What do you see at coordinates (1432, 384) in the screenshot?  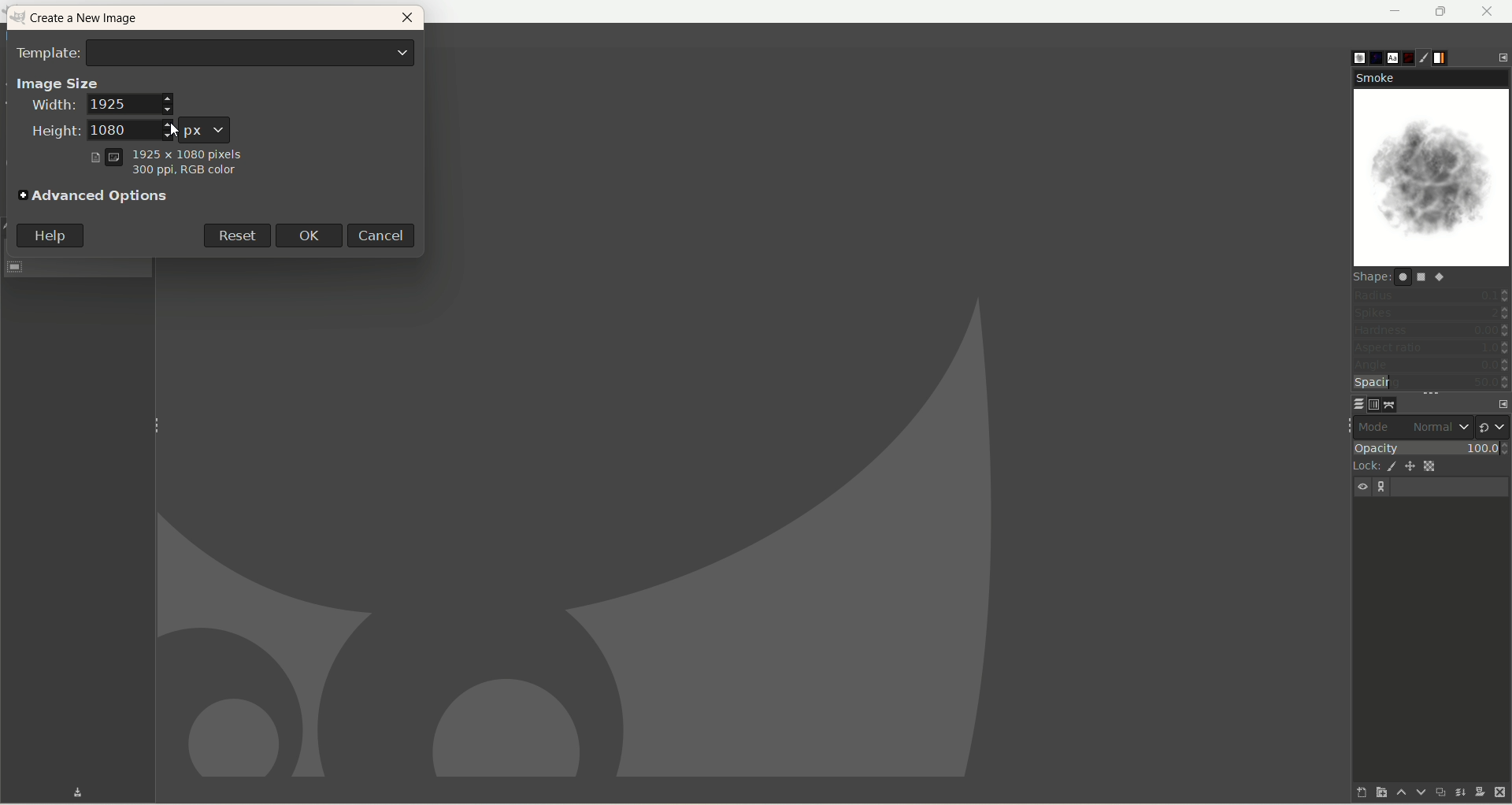 I see `spacing` at bounding box center [1432, 384].